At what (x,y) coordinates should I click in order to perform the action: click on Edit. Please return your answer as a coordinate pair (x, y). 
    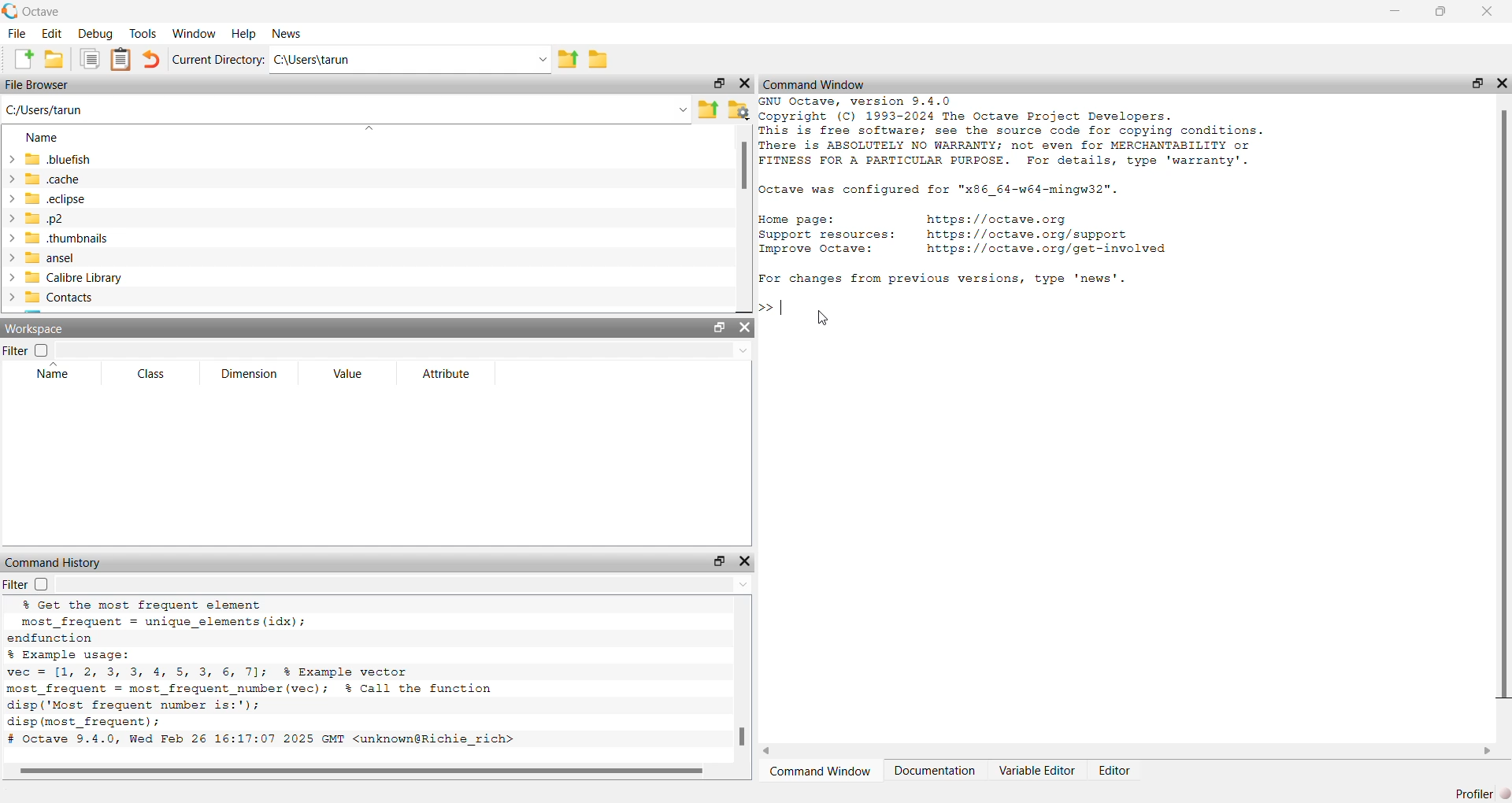
    Looking at the image, I should click on (53, 33).